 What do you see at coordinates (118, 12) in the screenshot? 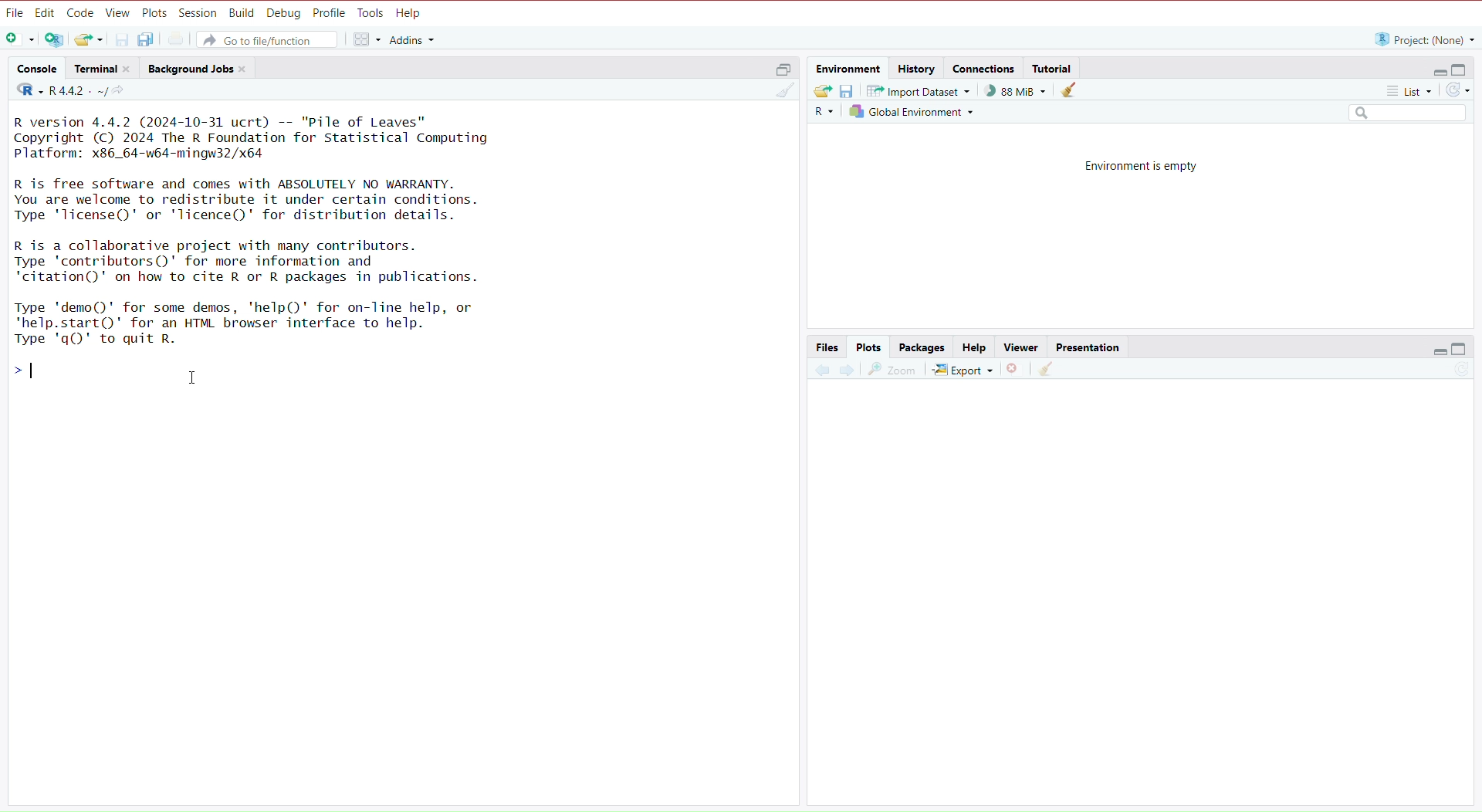
I see `View` at bounding box center [118, 12].